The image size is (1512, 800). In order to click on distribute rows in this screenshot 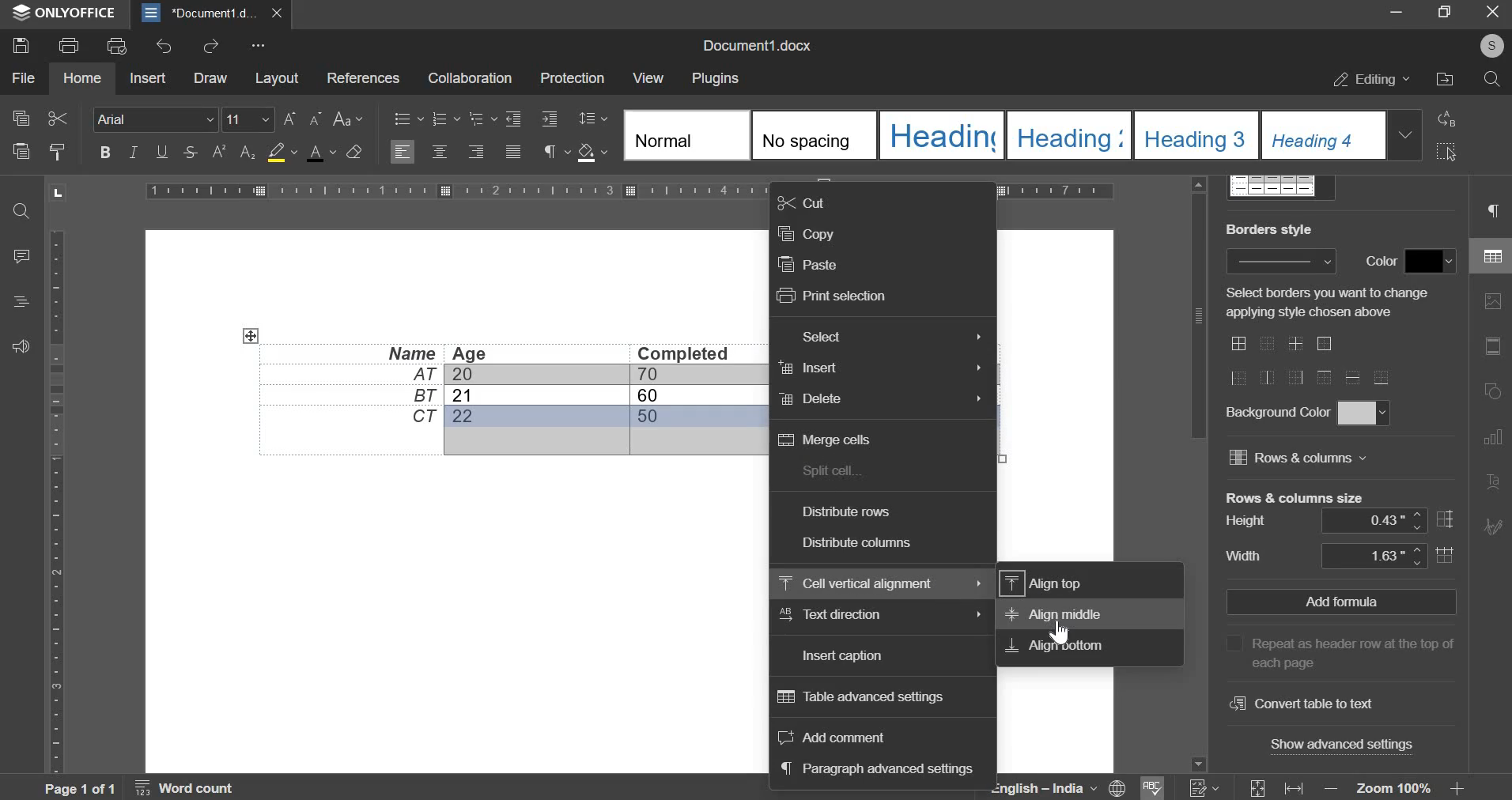, I will do `click(848, 511)`.